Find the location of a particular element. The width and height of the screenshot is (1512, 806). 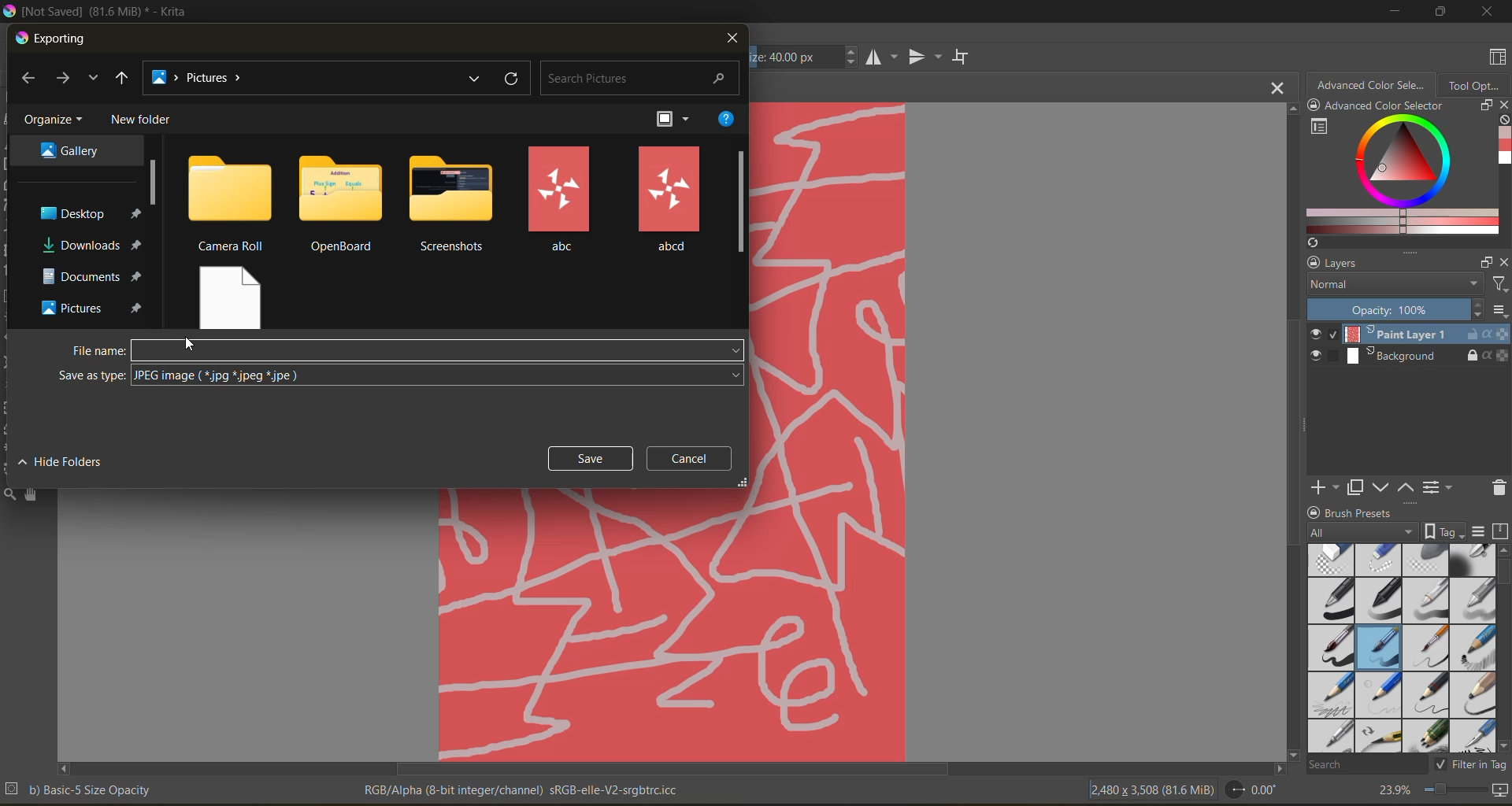

recent locations is located at coordinates (92, 78).